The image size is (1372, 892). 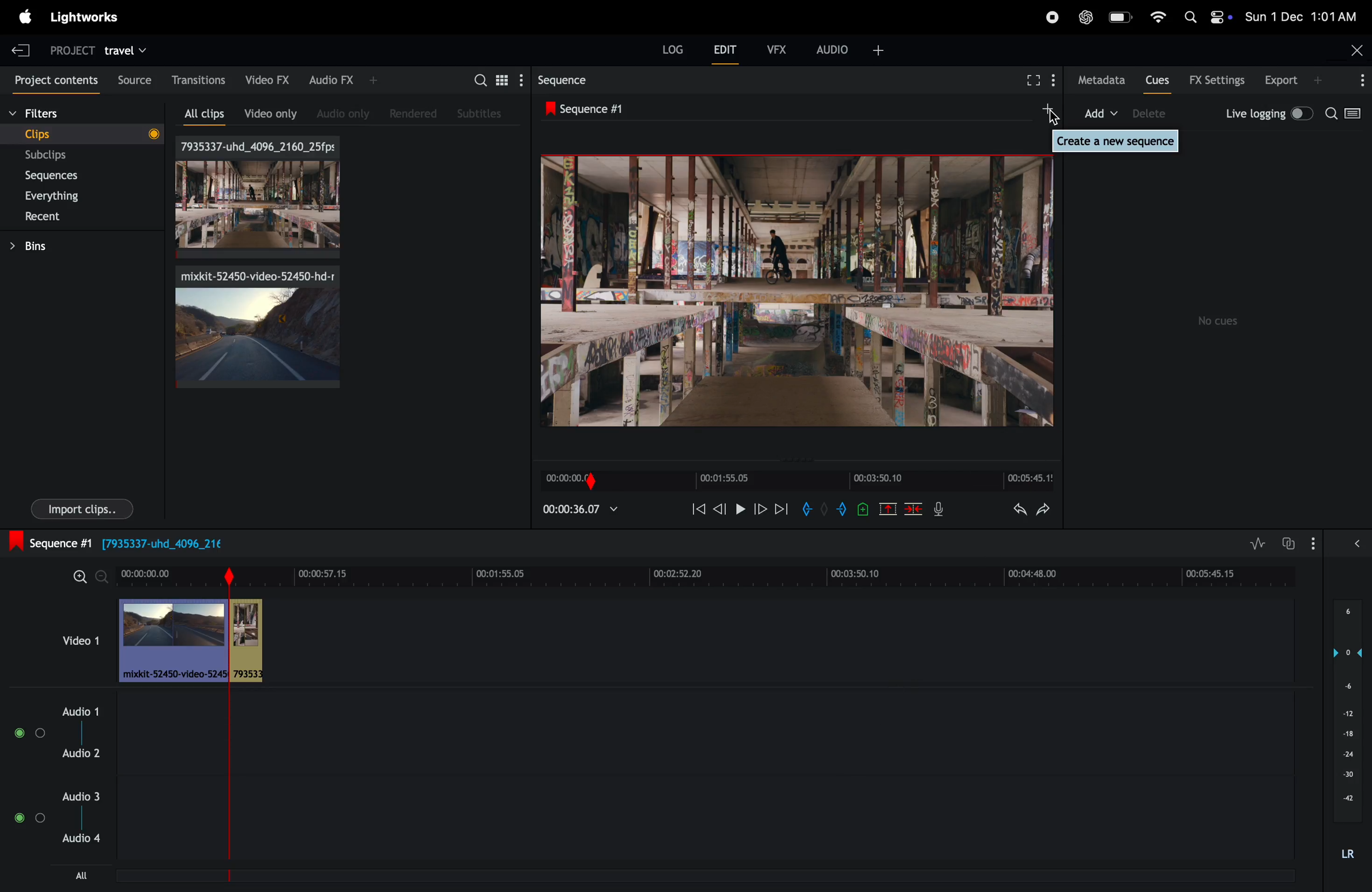 What do you see at coordinates (573, 80) in the screenshot?
I see `sequence` at bounding box center [573, 80].